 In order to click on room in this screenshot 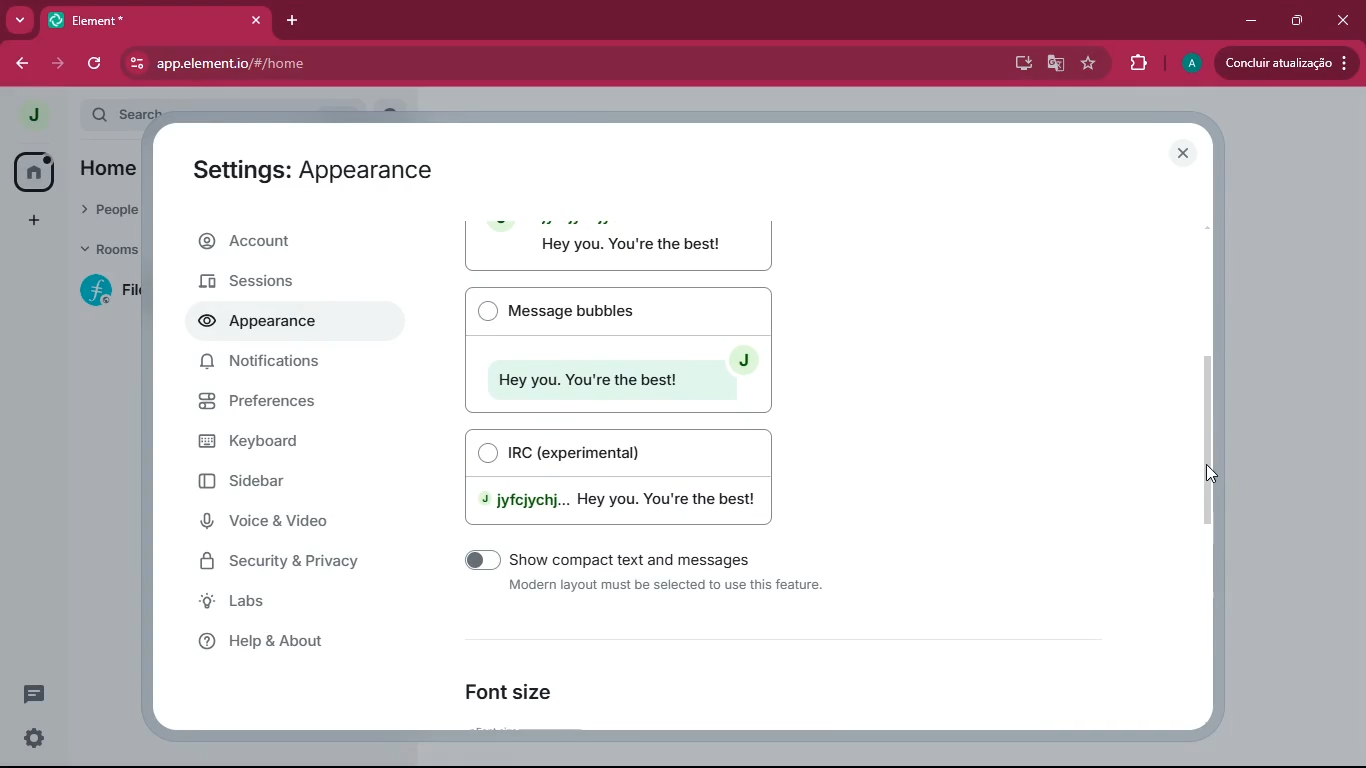, I will do `click(105, 291)`.